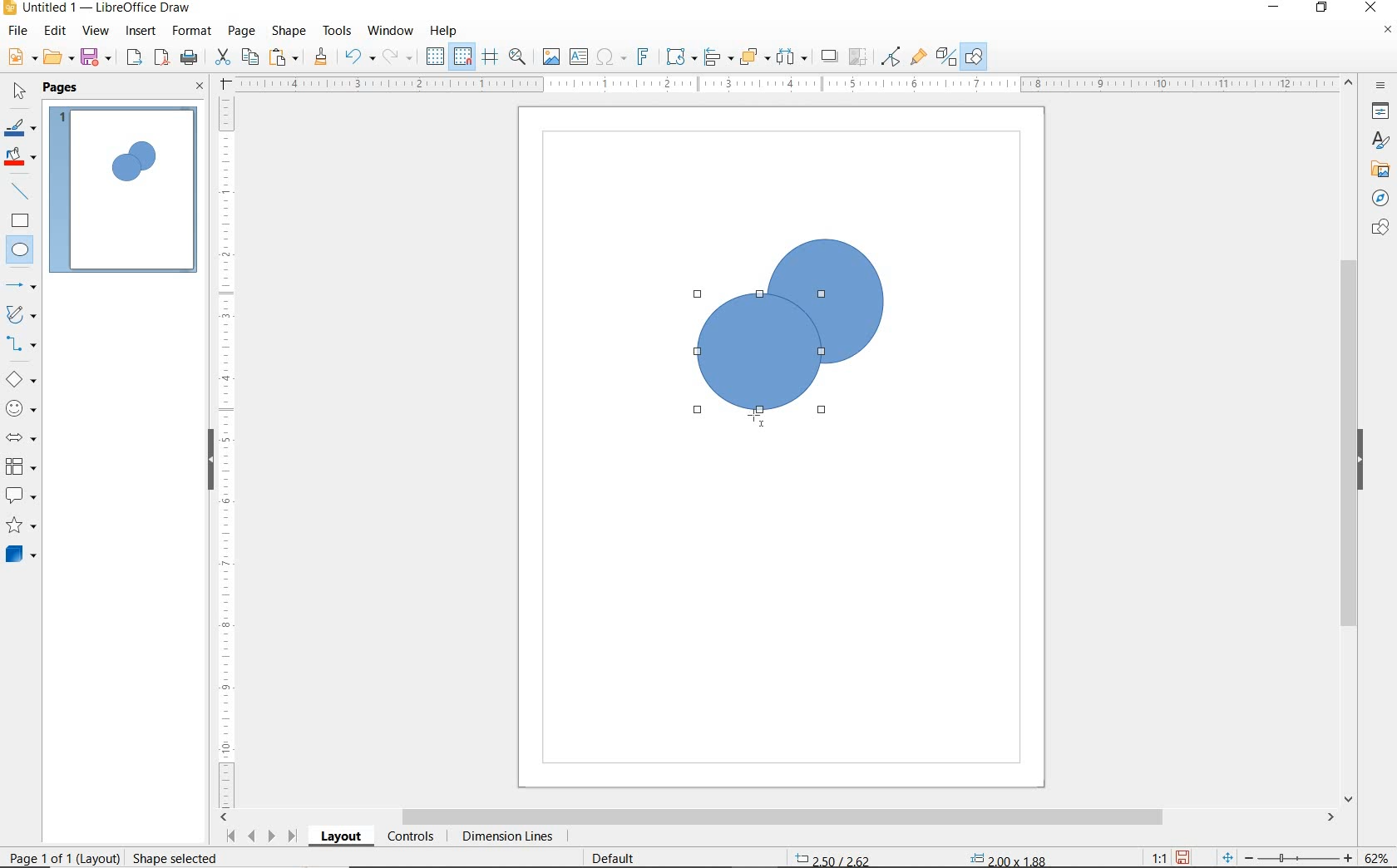 The height and width of the screenshot is (868, 1397). I want to click on MINIMIZE, so click(1276, 8).